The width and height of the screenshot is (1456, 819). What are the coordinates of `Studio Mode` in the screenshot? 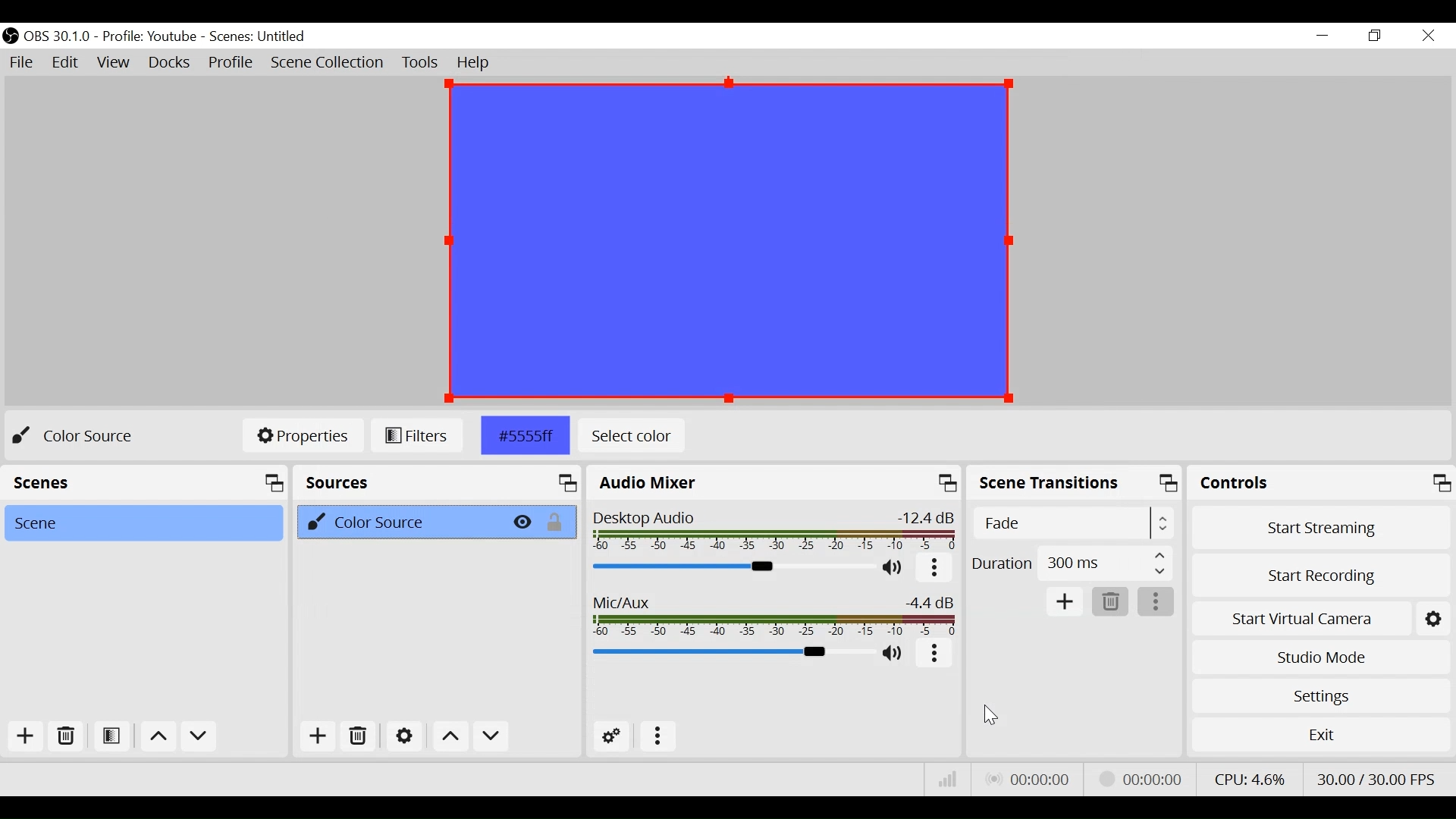 It's located at (1320, 657).